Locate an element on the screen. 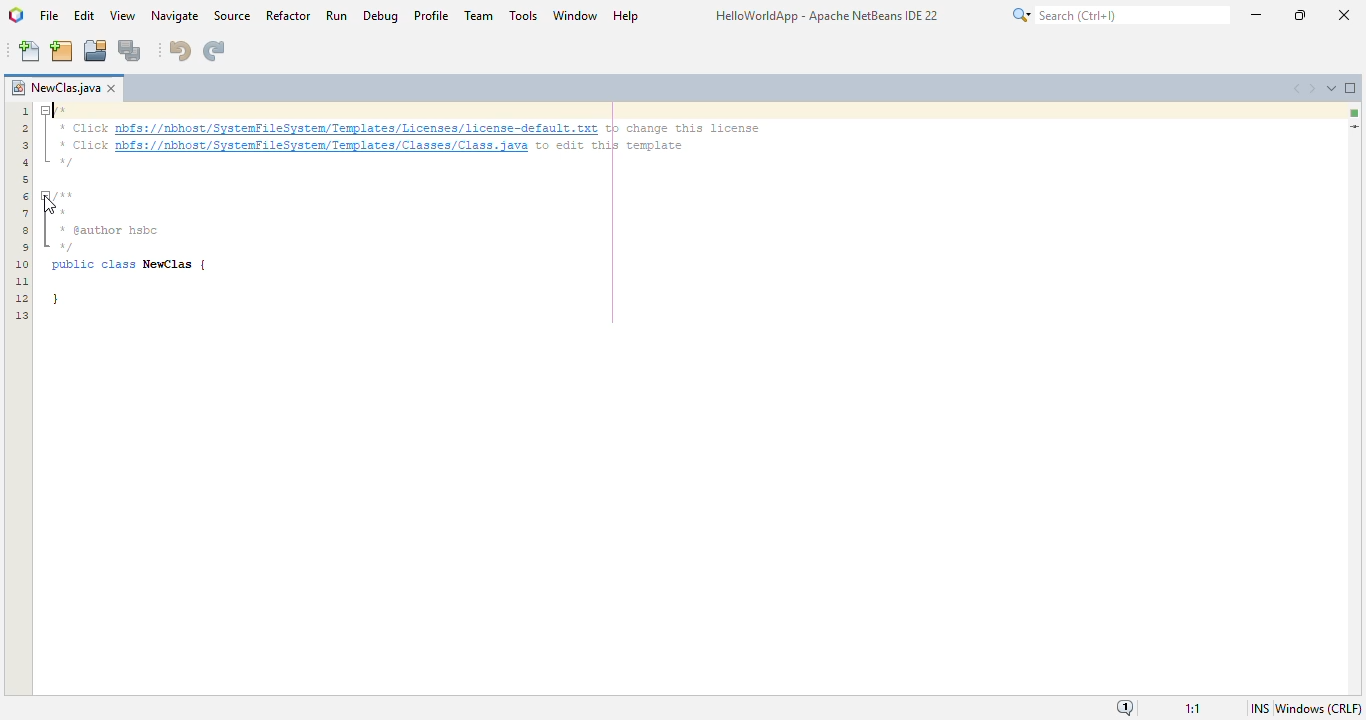  source is located at coordinates (233, 16).